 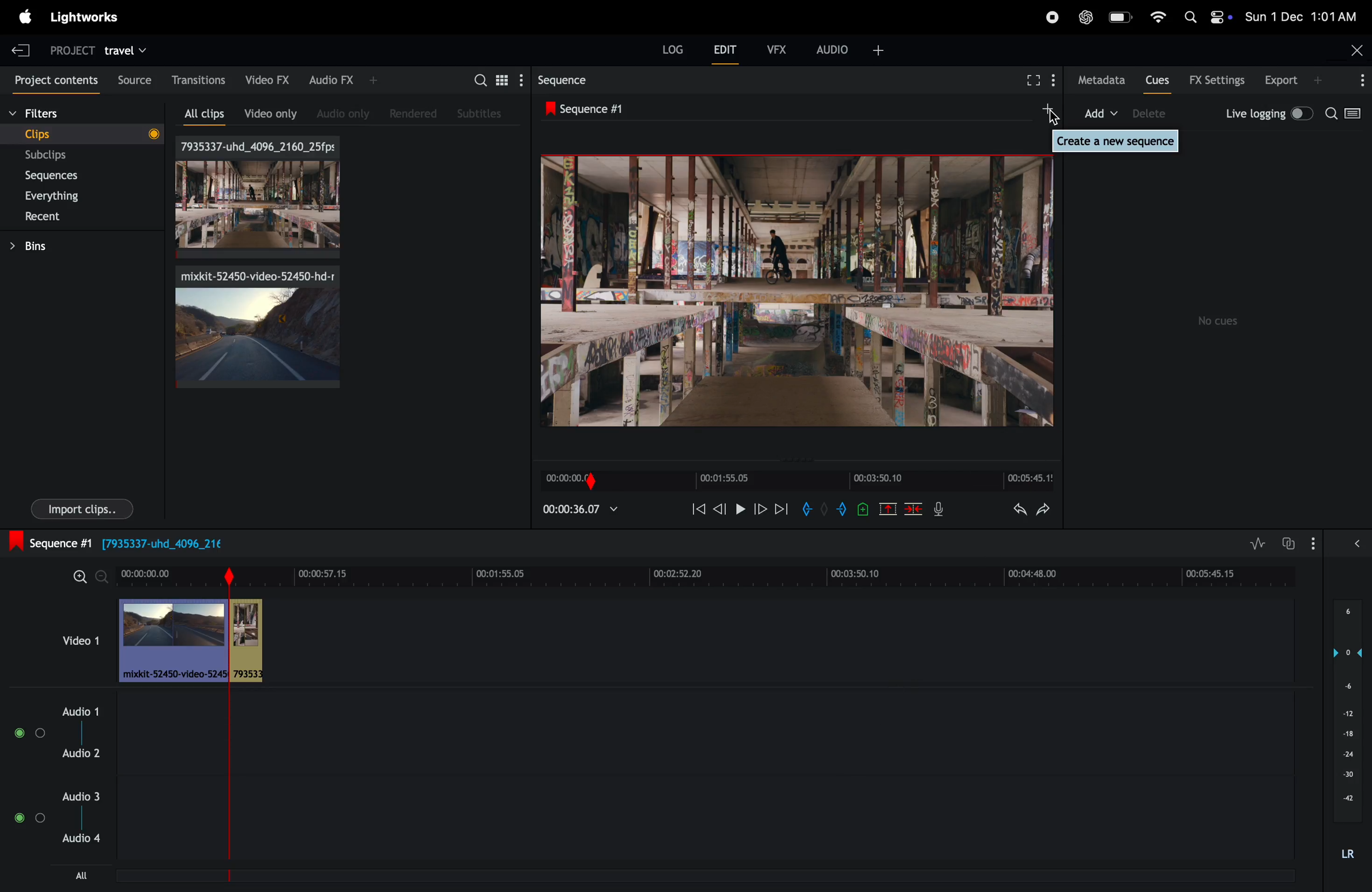 What do you see at coordinates (1301, 14) in the screenshot?
I see `date  and time` at bounding box center [1301, 14].